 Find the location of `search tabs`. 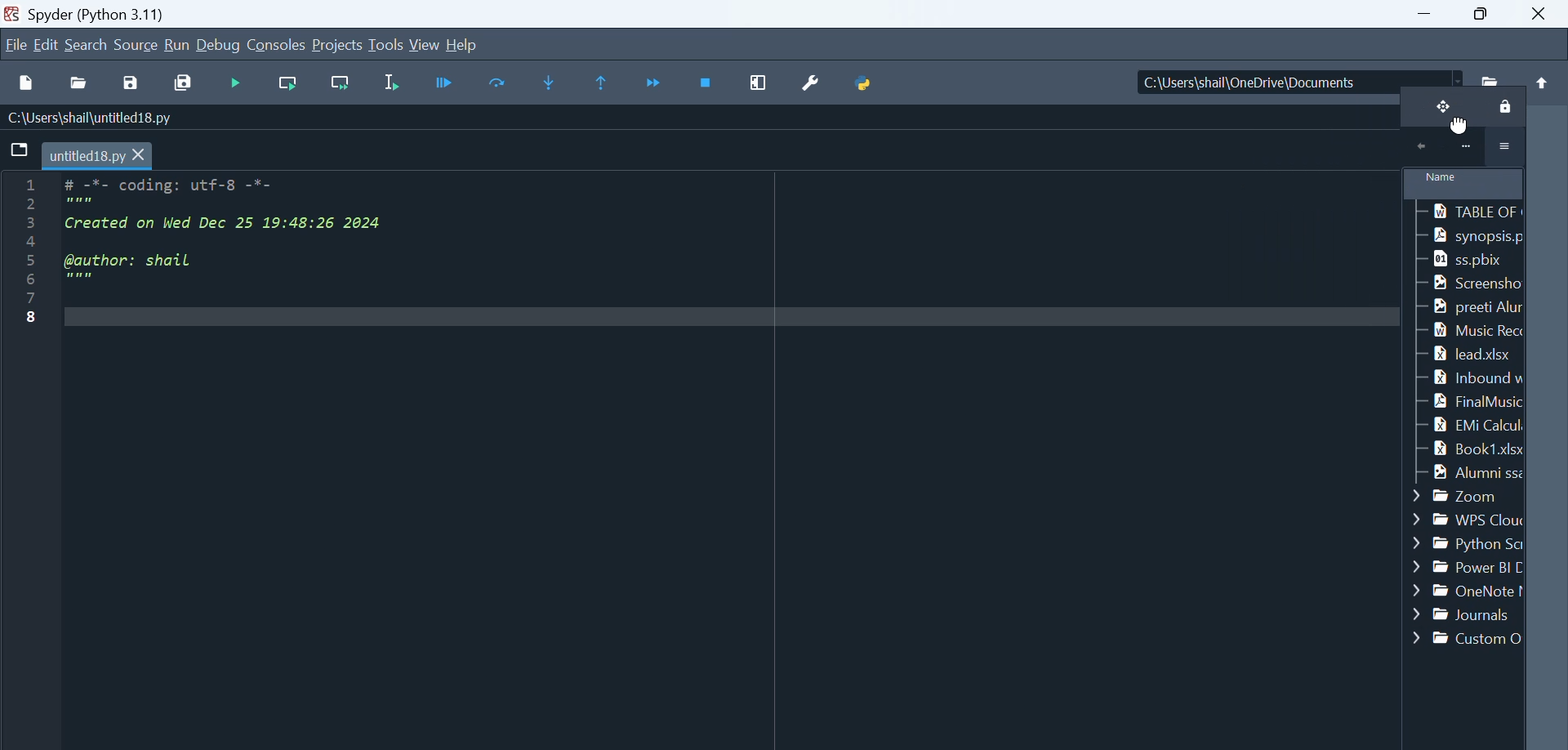

search tabs is located at coordinates (20, 150).